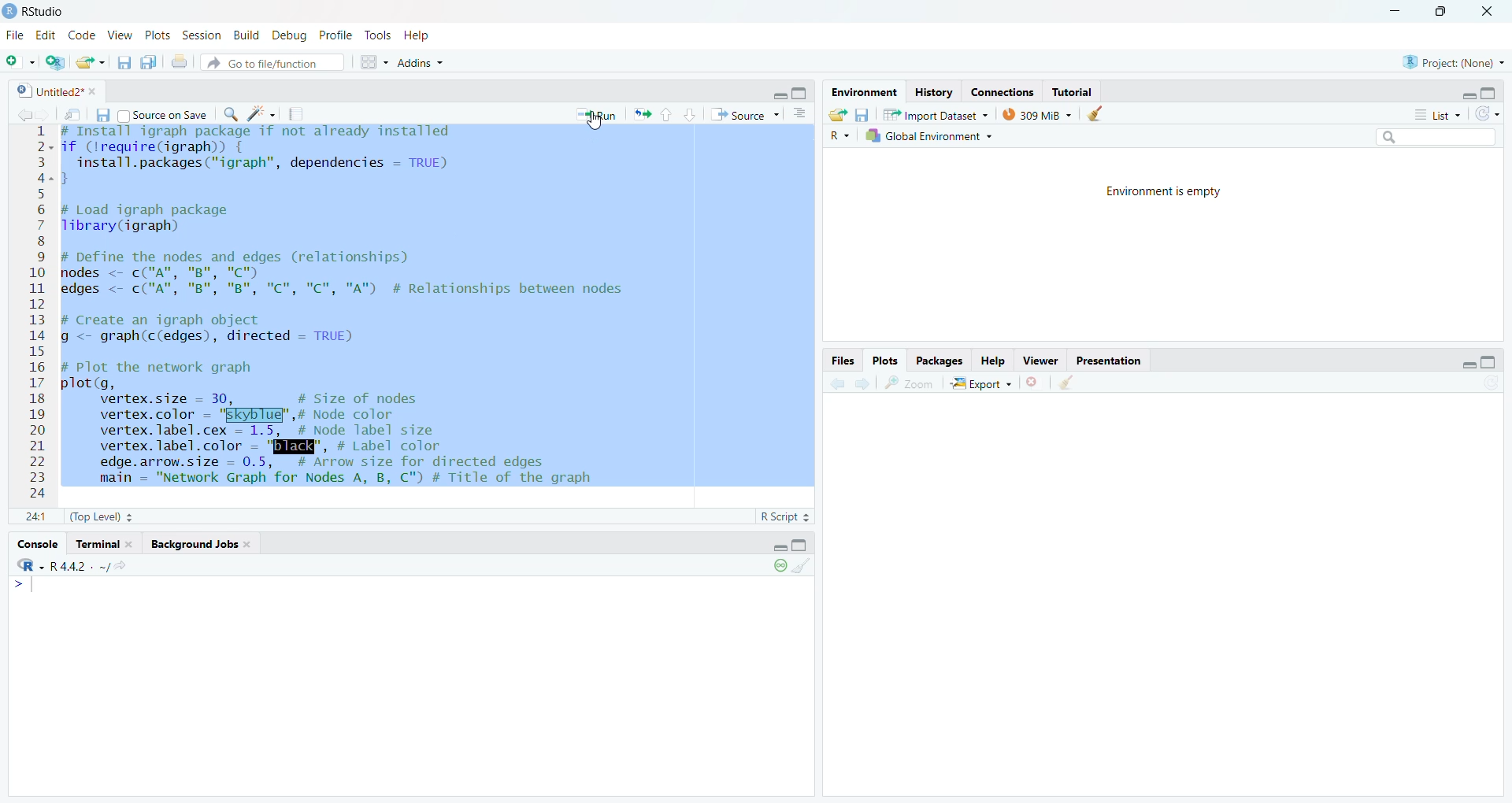 This screenshot has height=803, width=1512. What do you see at coordinates (1162, 193) in the screenshot?
I see `Environment is empty` at bounding box center [1162, 193].